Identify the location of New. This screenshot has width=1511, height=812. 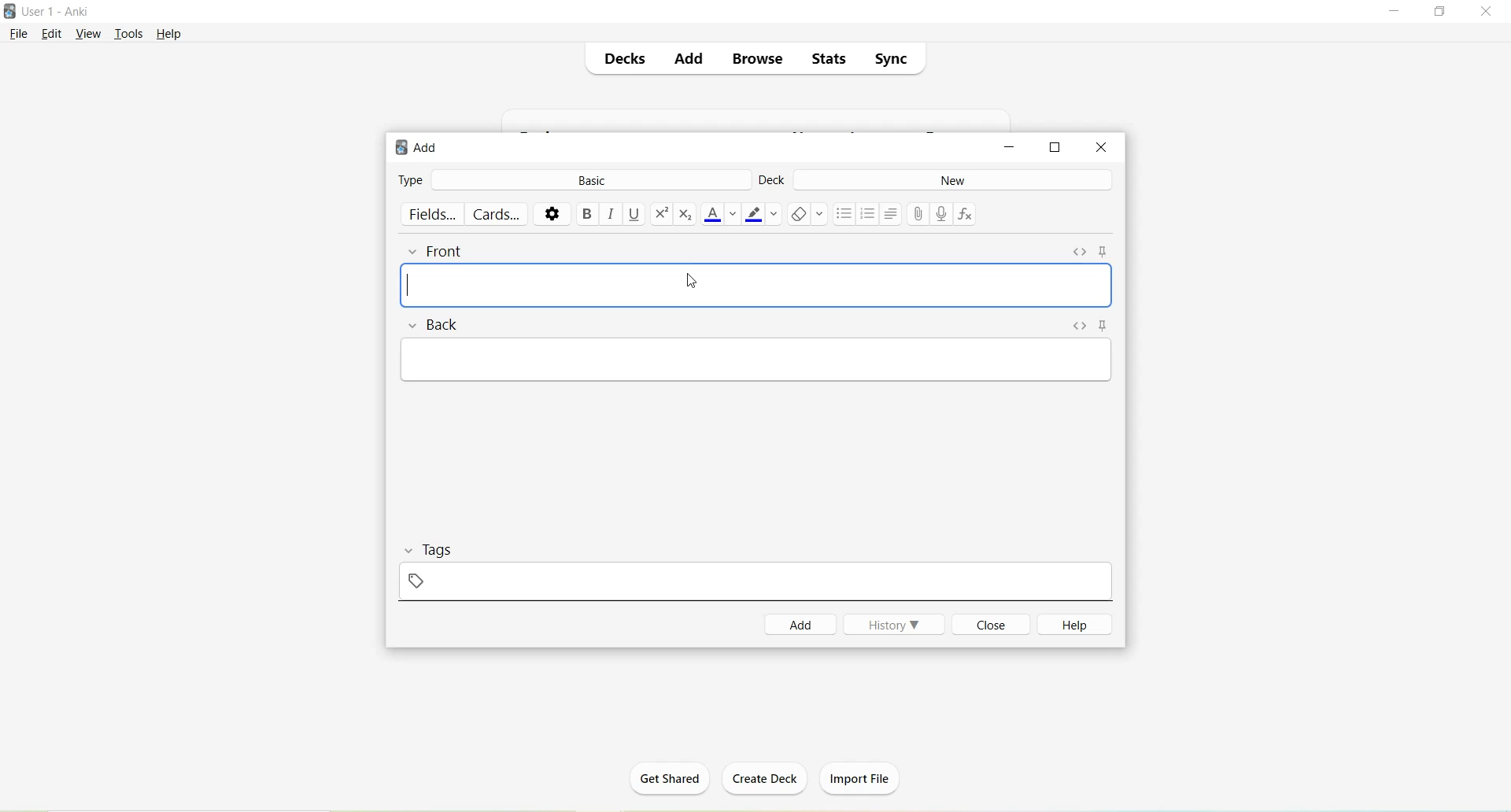
(953, 180).